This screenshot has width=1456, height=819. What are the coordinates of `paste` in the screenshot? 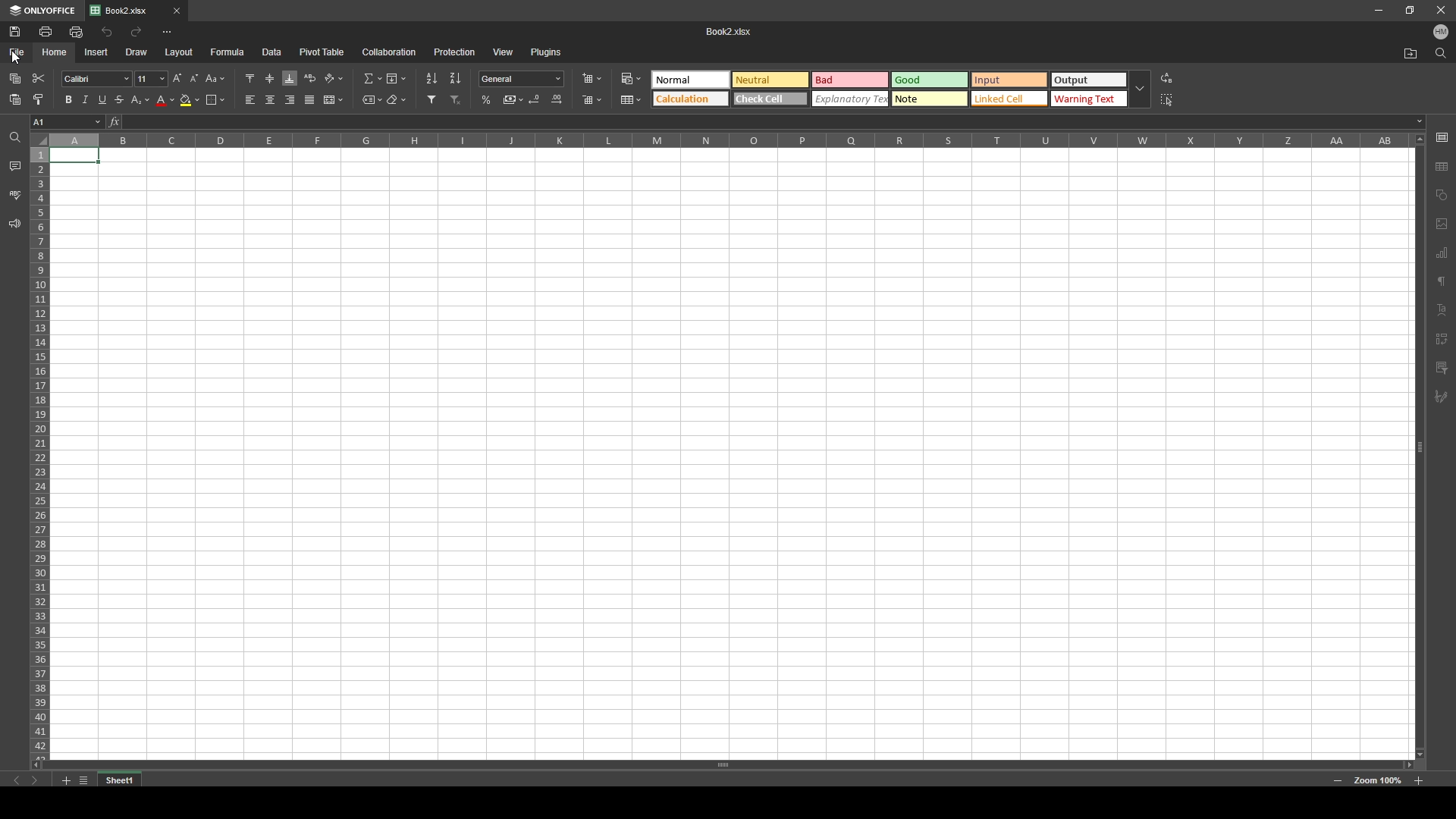 It's located at (15, 99).